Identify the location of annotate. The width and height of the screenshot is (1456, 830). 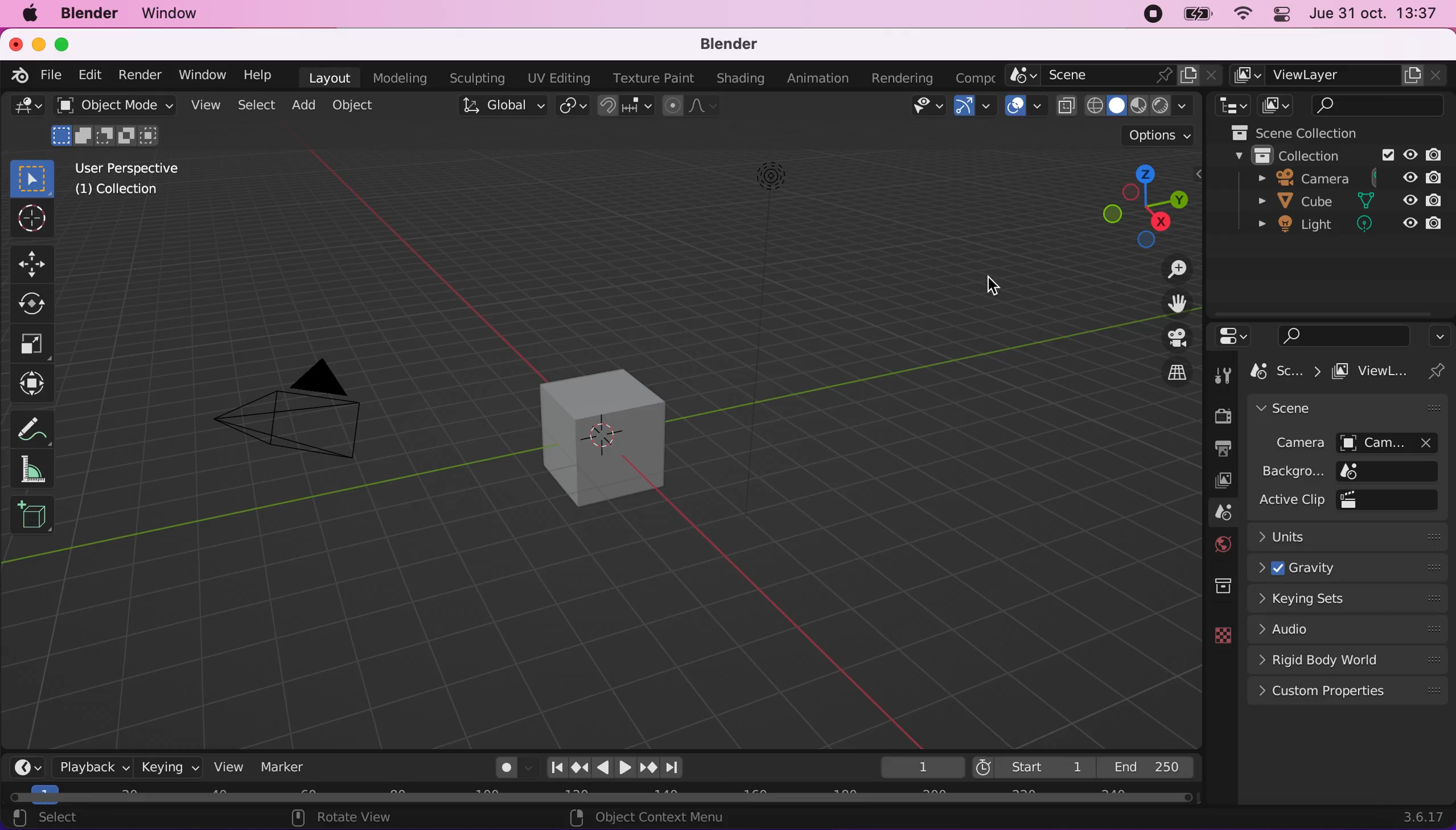
(36, 423).